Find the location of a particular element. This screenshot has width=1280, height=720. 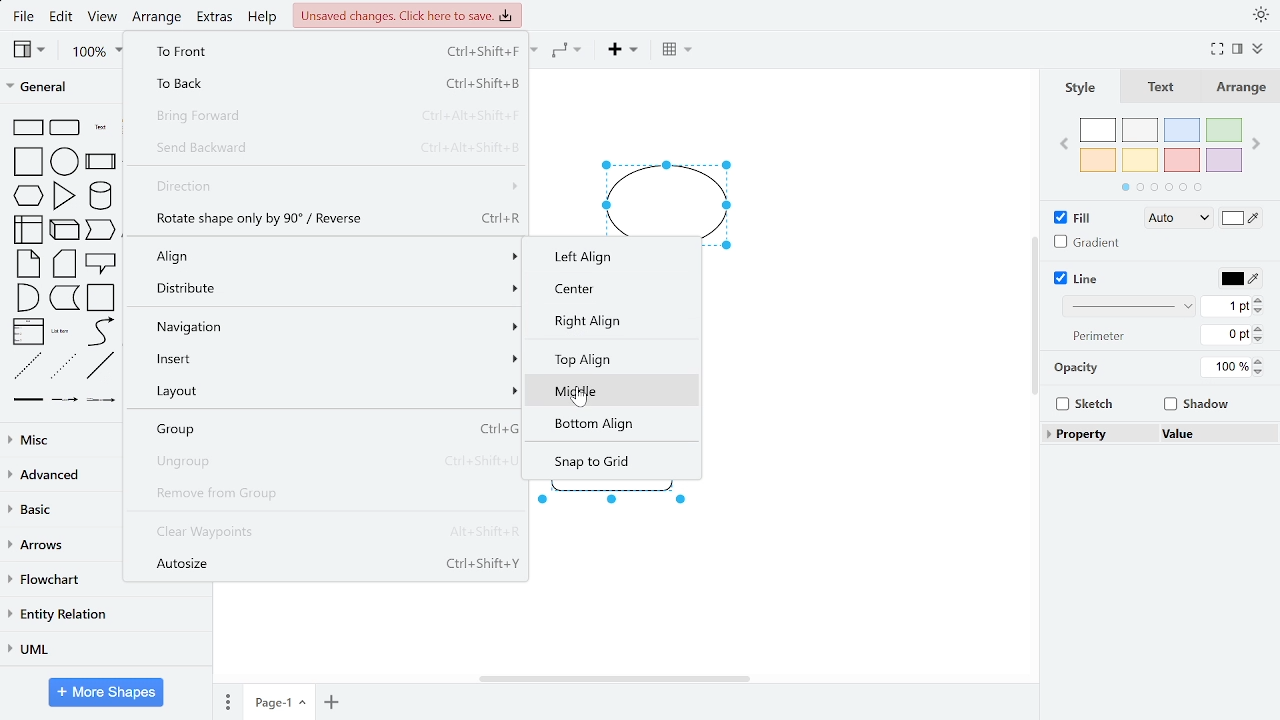

increase opacity is located at coordinates (1259, 360).